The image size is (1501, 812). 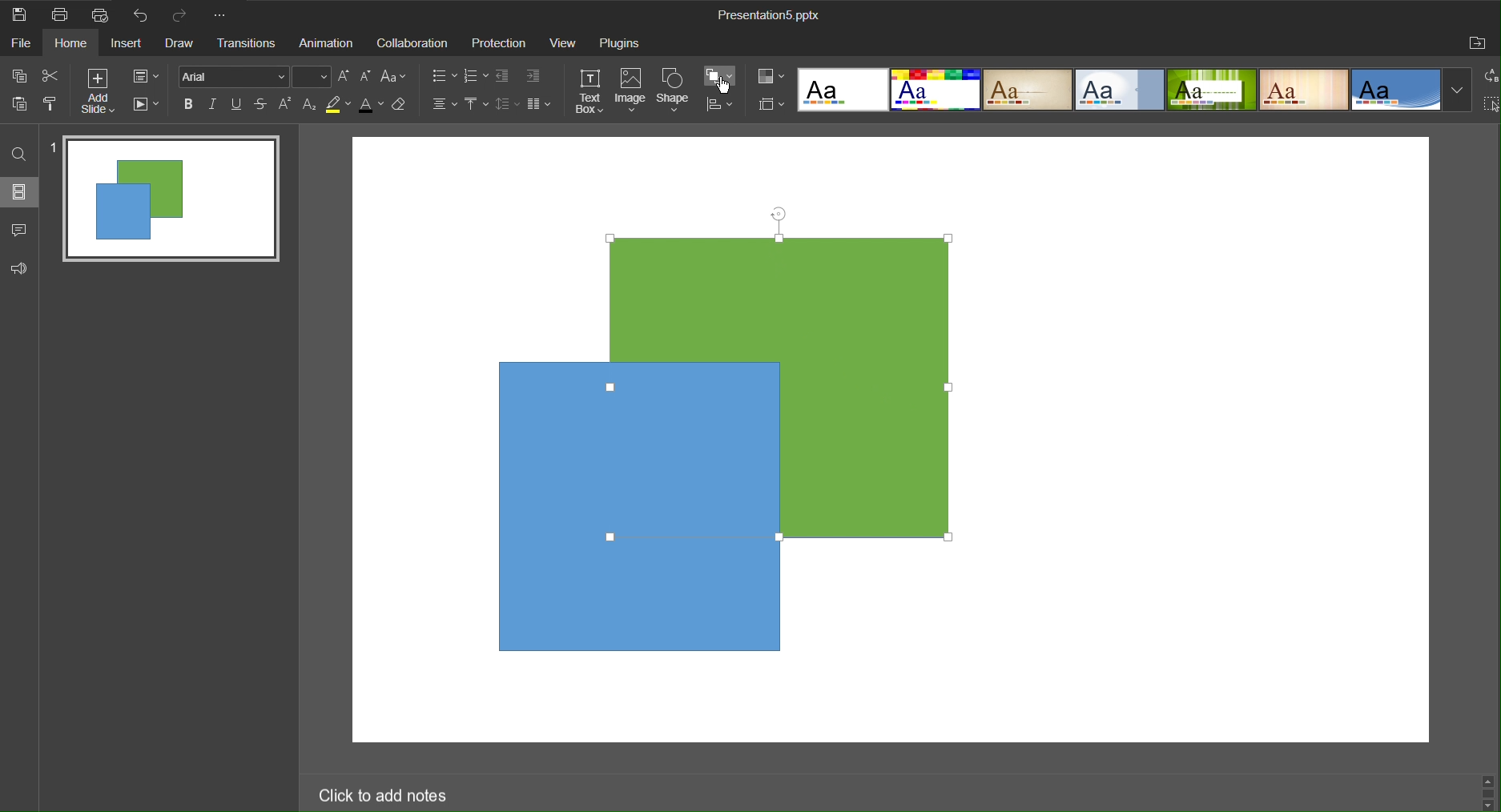 What do you see at coordinates (501, 43) in the screenshot?
I see `Protection` at bounding box center [501, 43].